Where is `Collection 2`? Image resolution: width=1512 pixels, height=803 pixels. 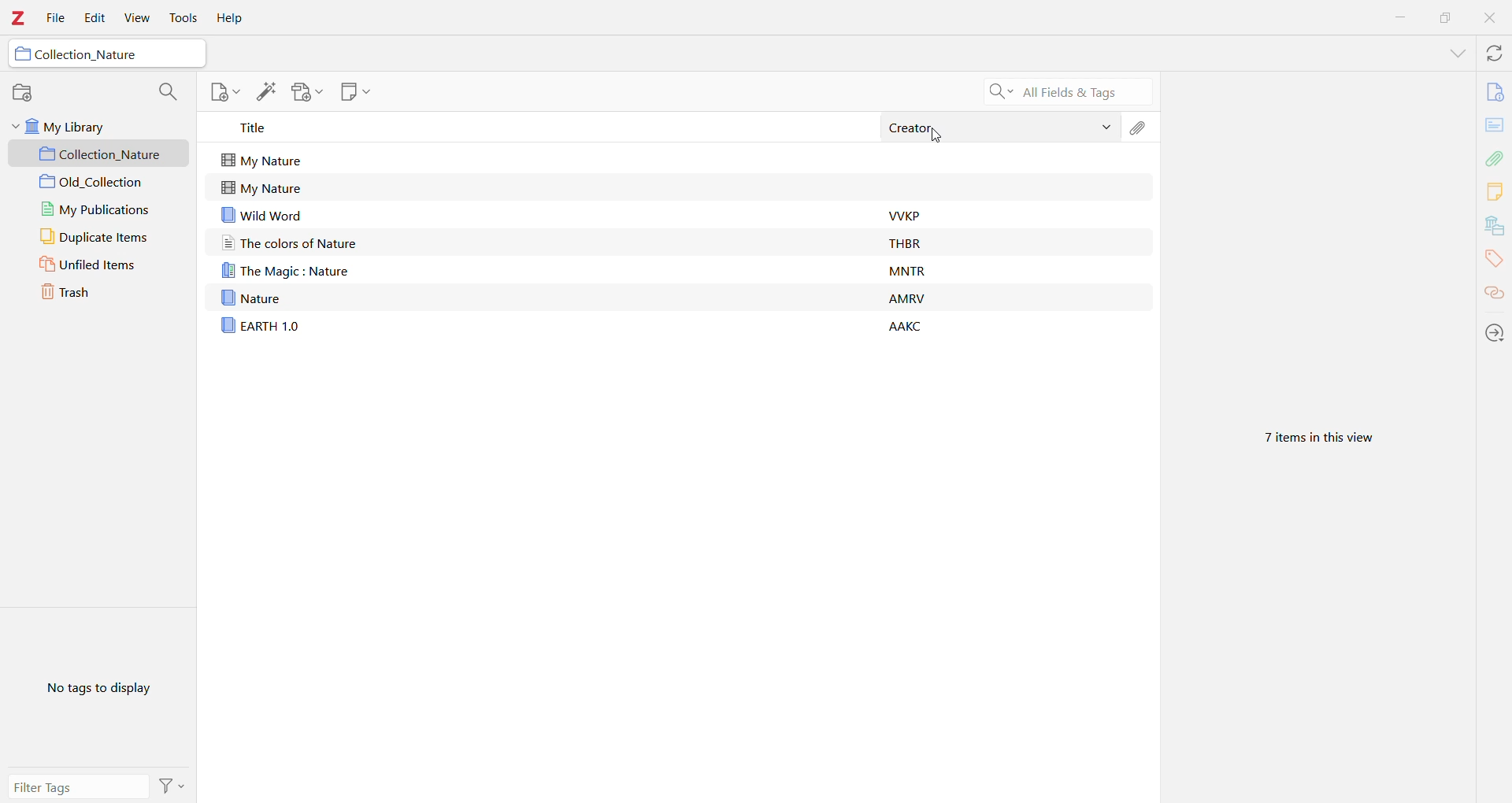 Collection 2 is located at coordinates (103, 182).